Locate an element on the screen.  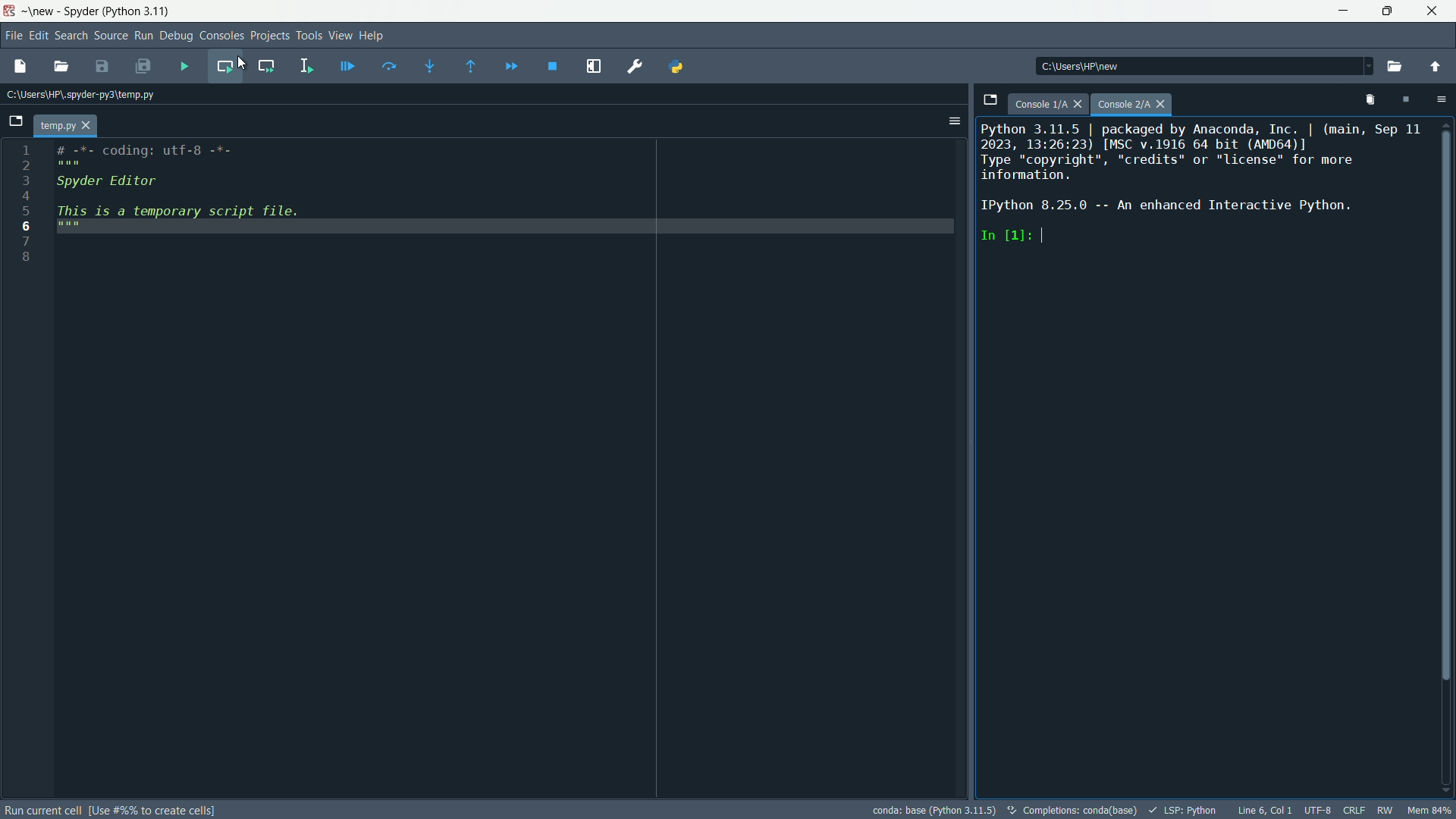
preferences is located at coordinates (631, 65).